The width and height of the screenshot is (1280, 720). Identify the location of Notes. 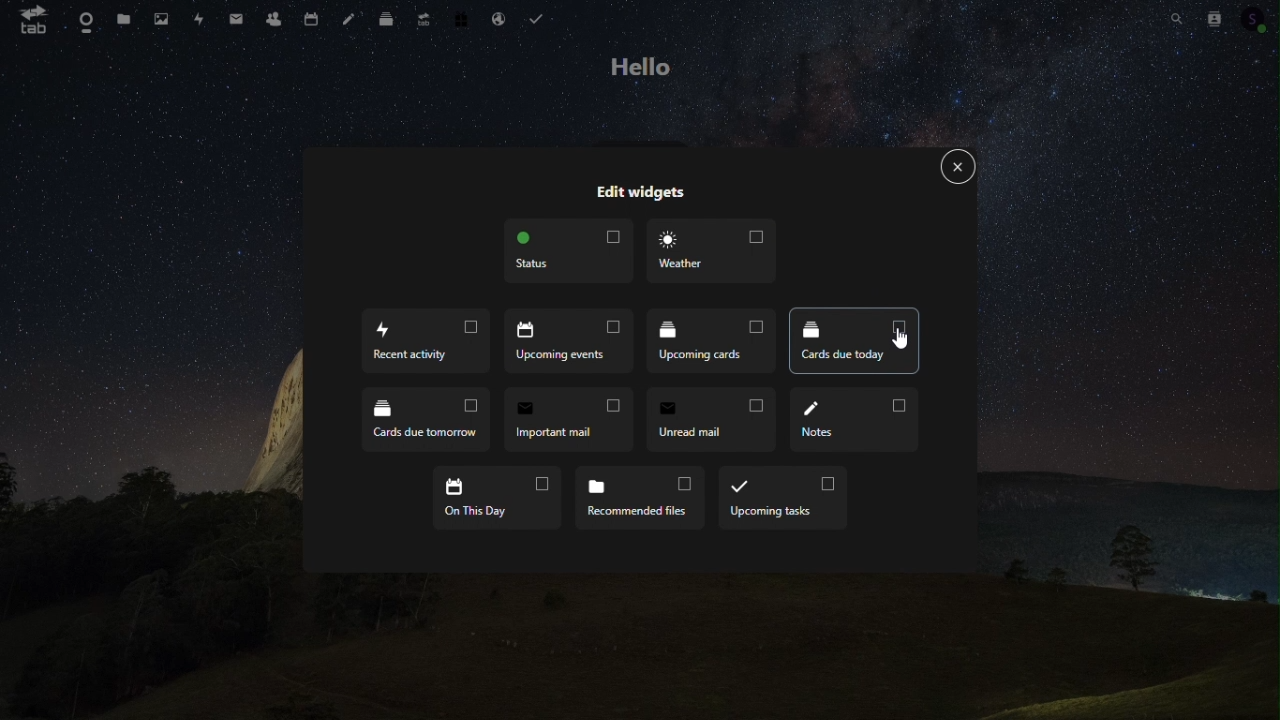
(352, 18).